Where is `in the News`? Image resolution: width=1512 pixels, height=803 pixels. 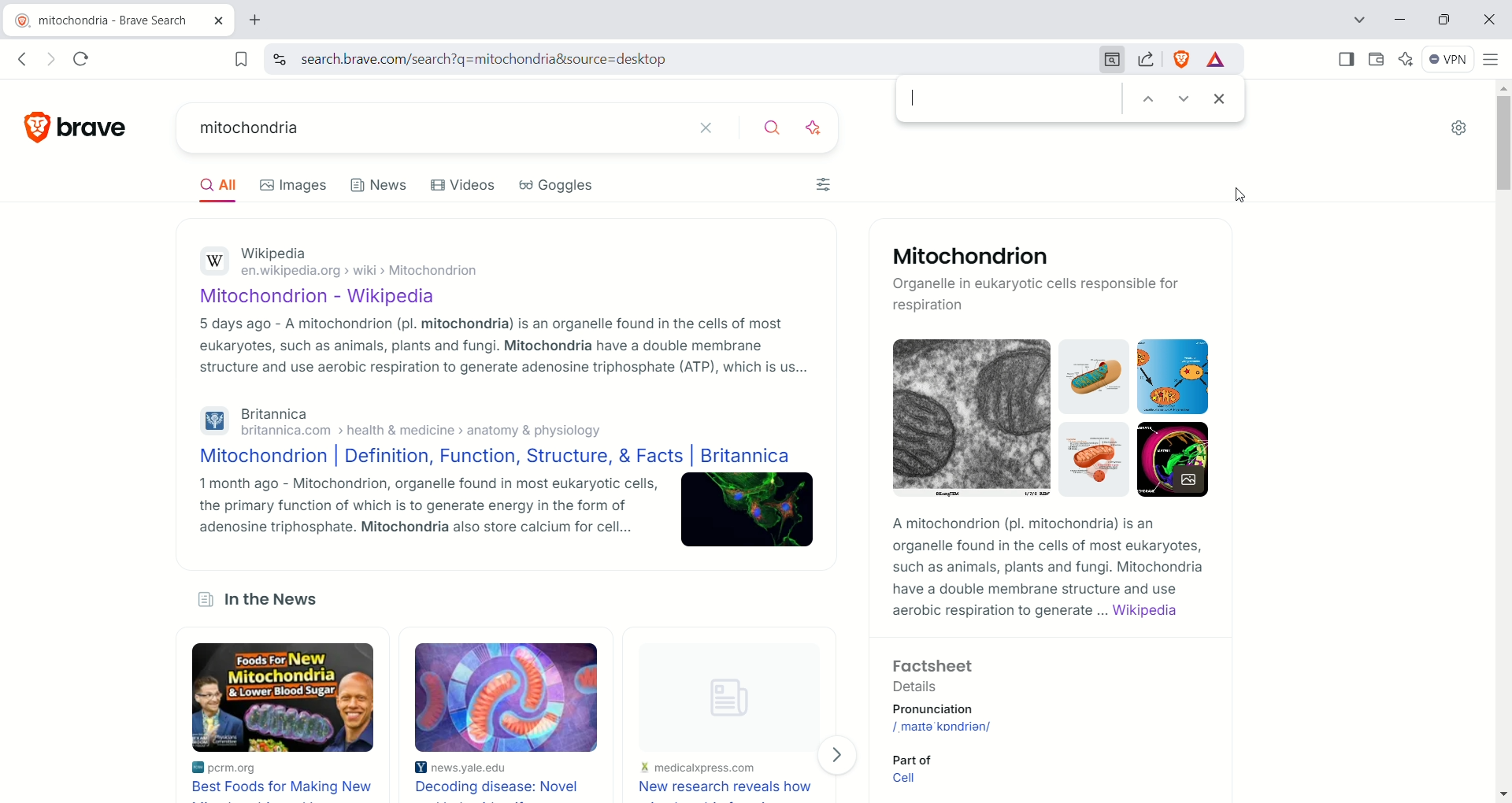 in the News is located at coordinates (265, 599).